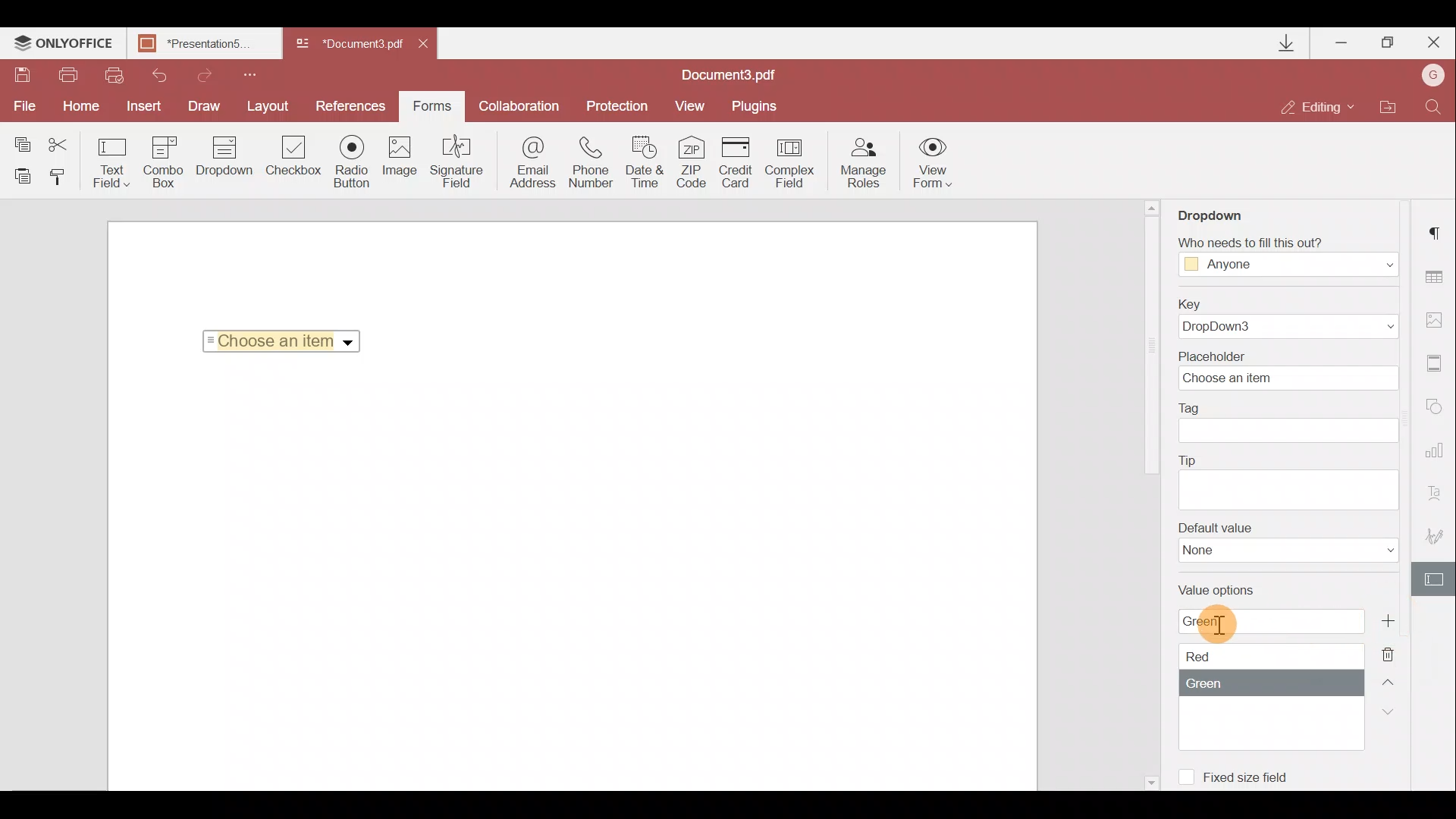  Describe the element at coordinates (1150, 350) in the screenshot. I see `Scroll bar` at that location.